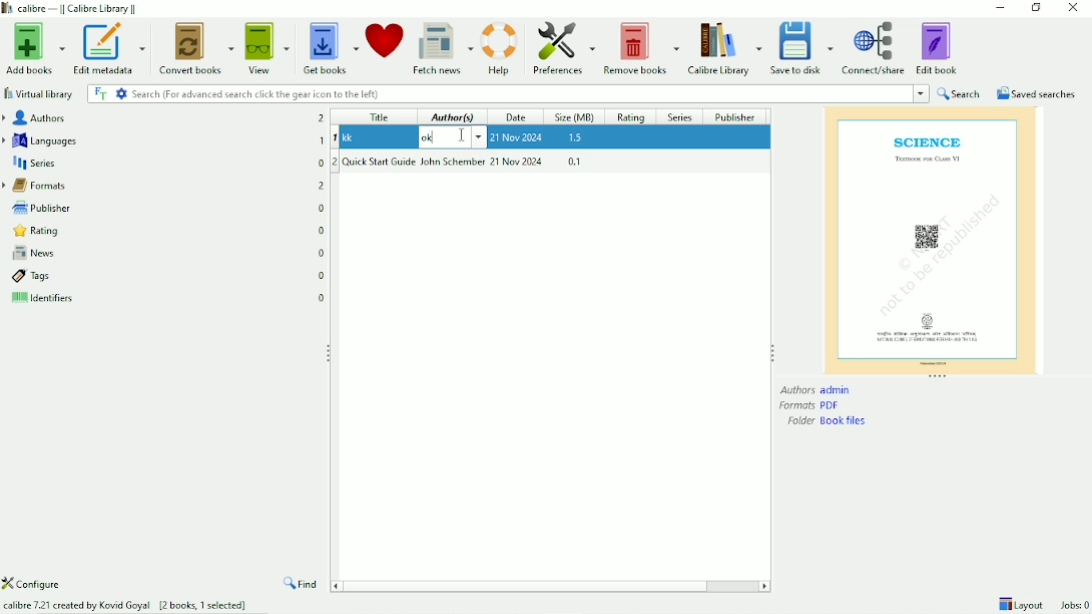  Describe the element at coordinates (937, 377) in the screenshot. I see `Resize` at that location.